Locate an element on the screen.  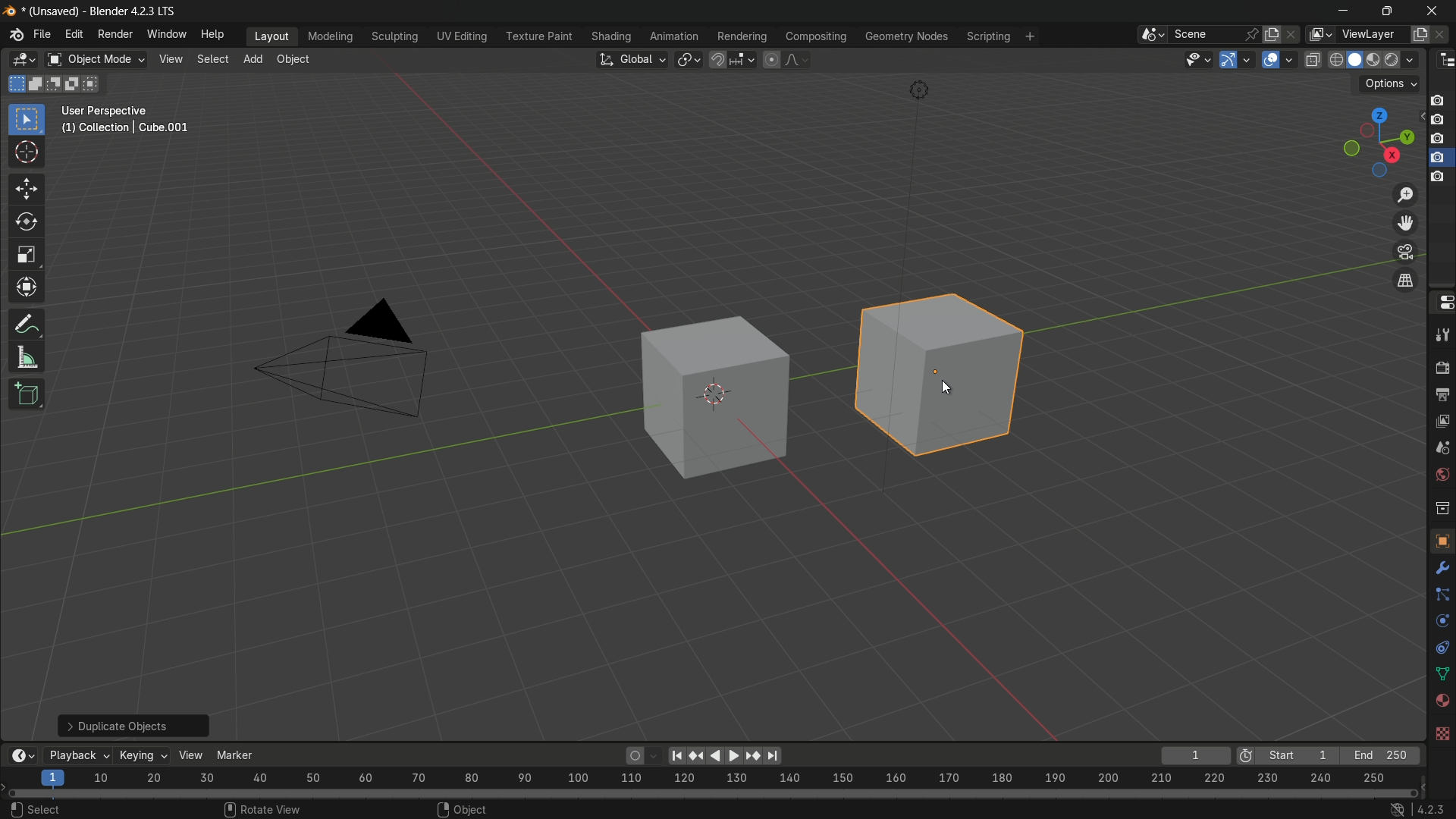
Automatic Constraint is located at coordinates (845, 809).